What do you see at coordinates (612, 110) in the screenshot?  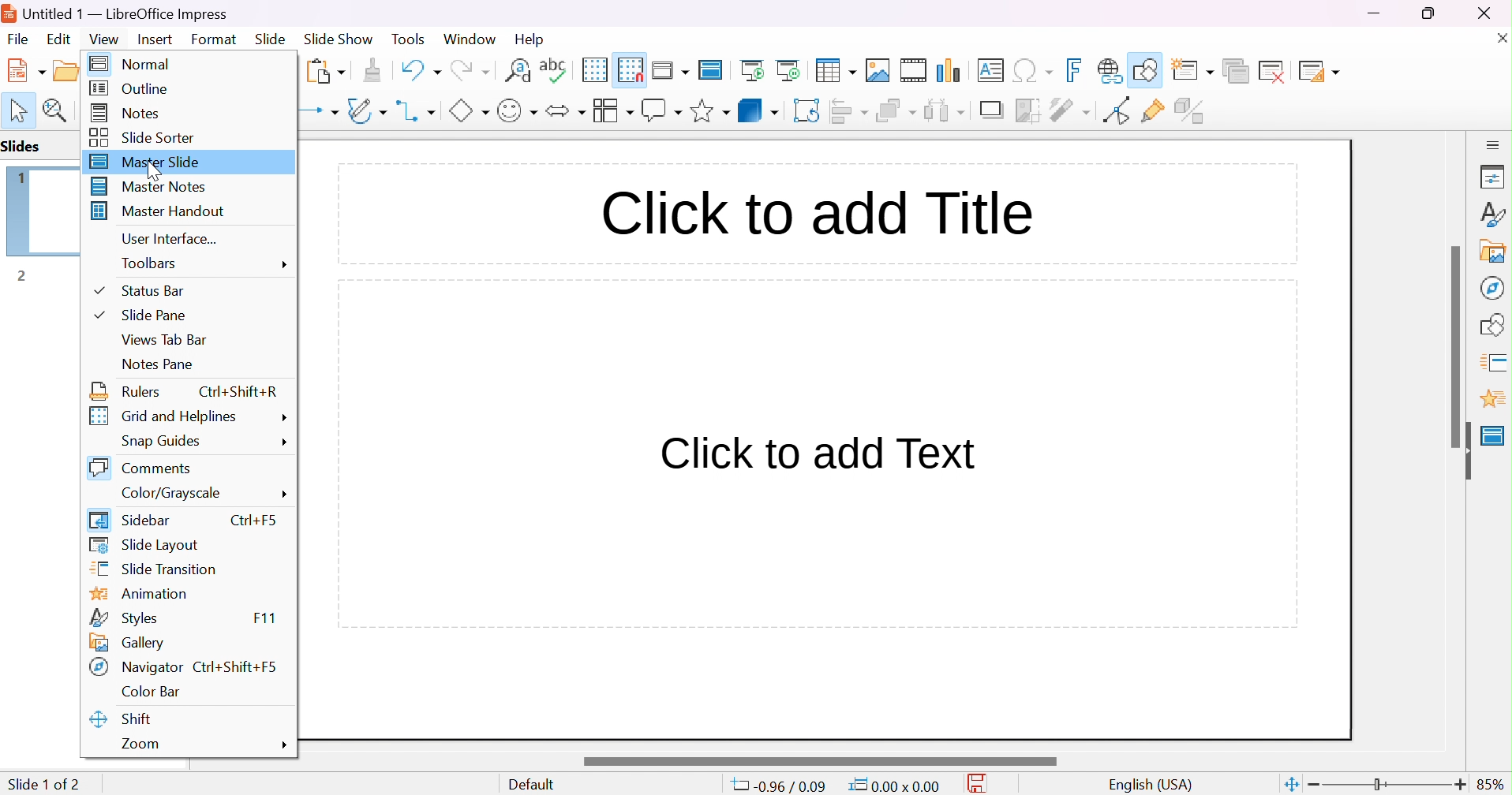 I see `flowchart` at bounding box center [612, 110].